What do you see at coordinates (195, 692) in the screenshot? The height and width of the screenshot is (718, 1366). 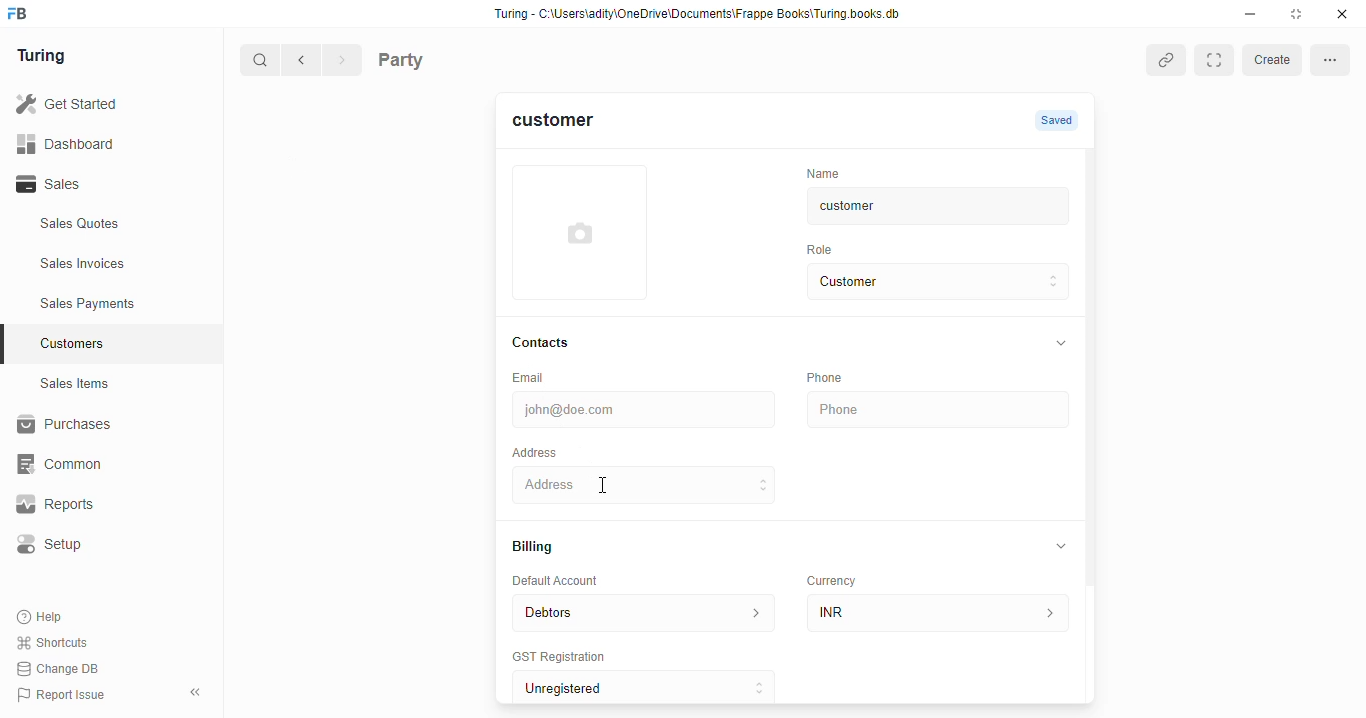 I see `collpase` at bounding box center [195, 692].